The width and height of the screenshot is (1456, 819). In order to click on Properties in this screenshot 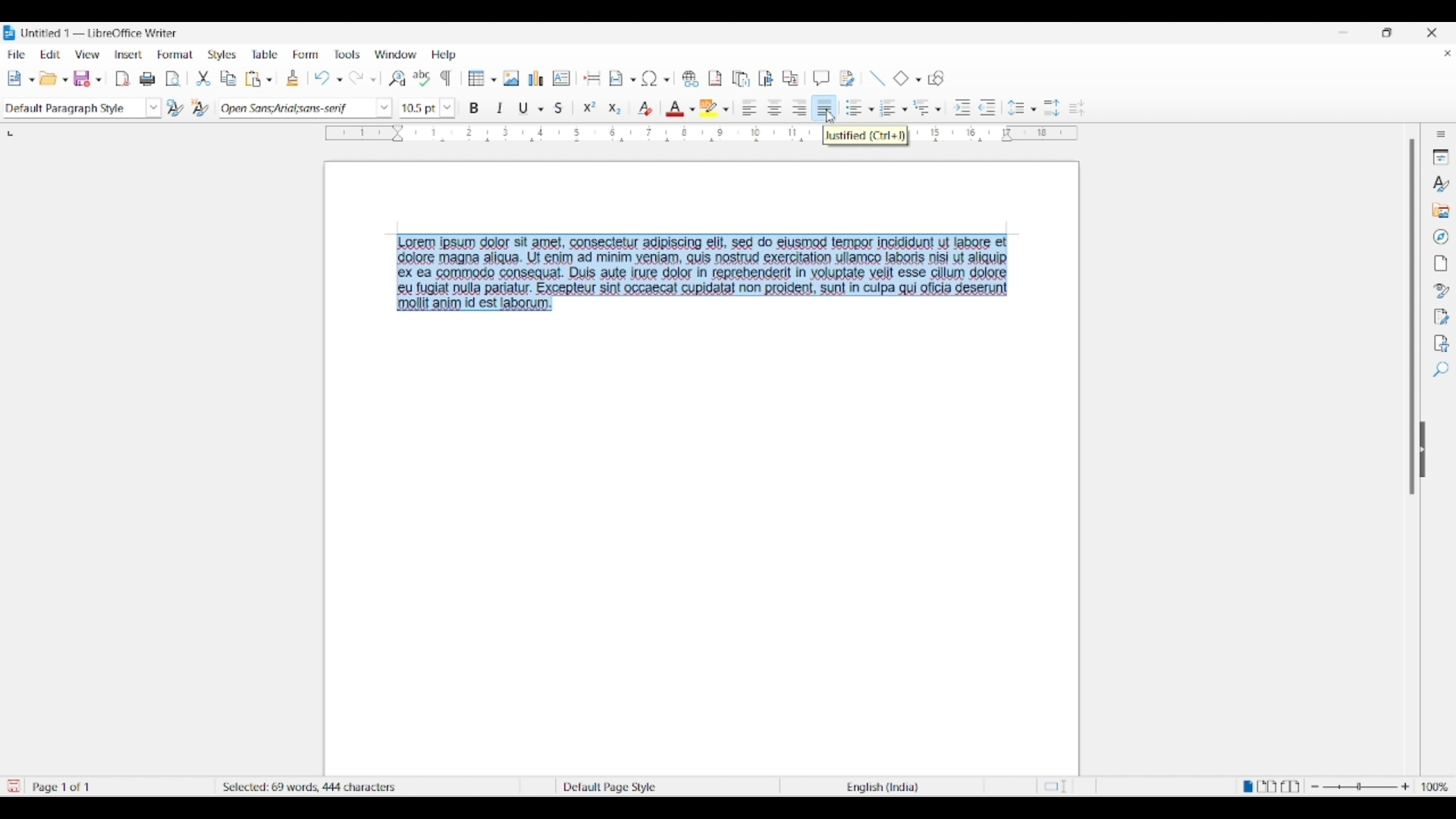, I will do `click(1441, 157)`.